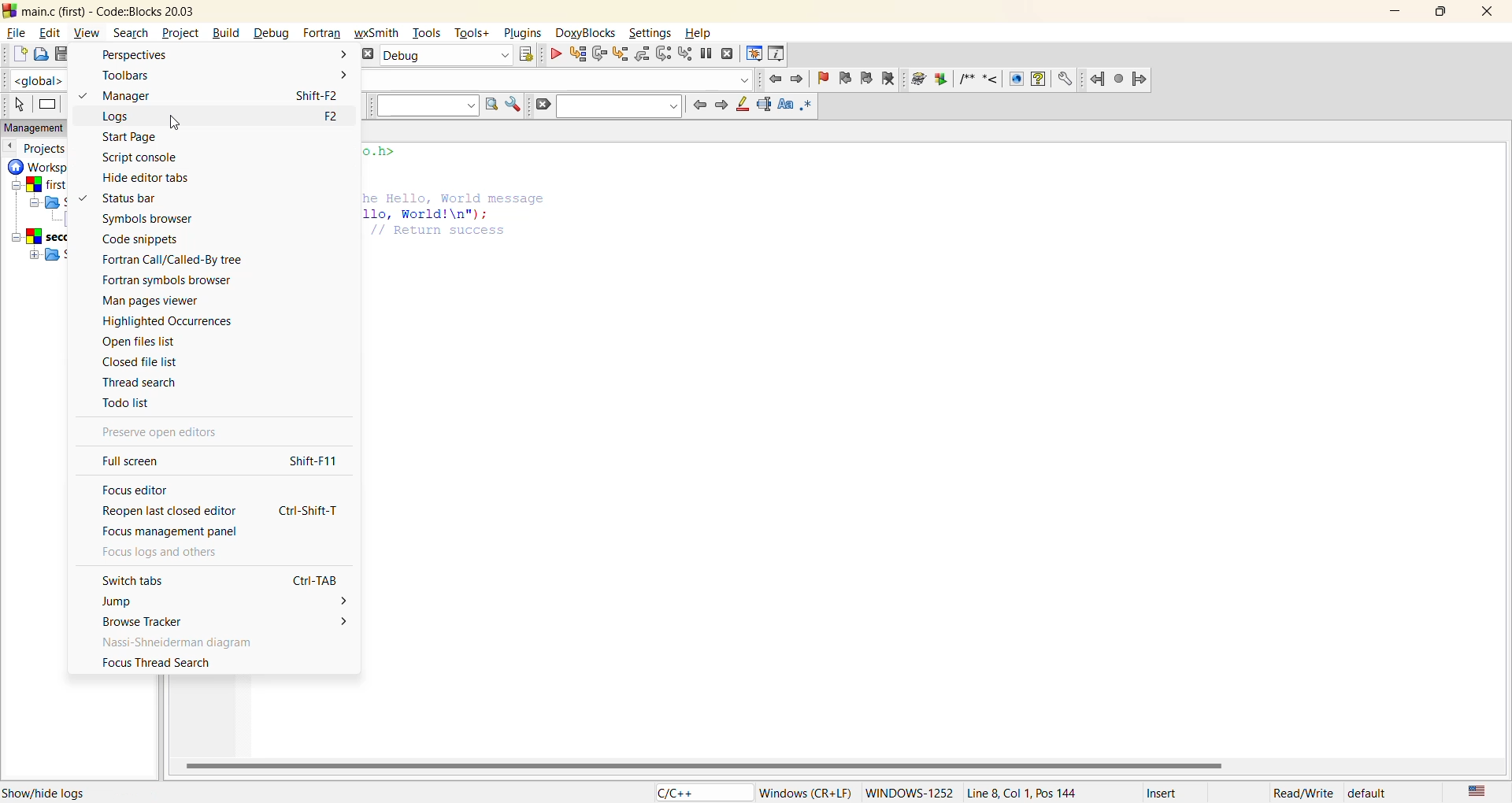  What do you see at coordinates (907, 791) in the screenshot?
I see `WINDOWS-1252` at bounding box center [907, 791].